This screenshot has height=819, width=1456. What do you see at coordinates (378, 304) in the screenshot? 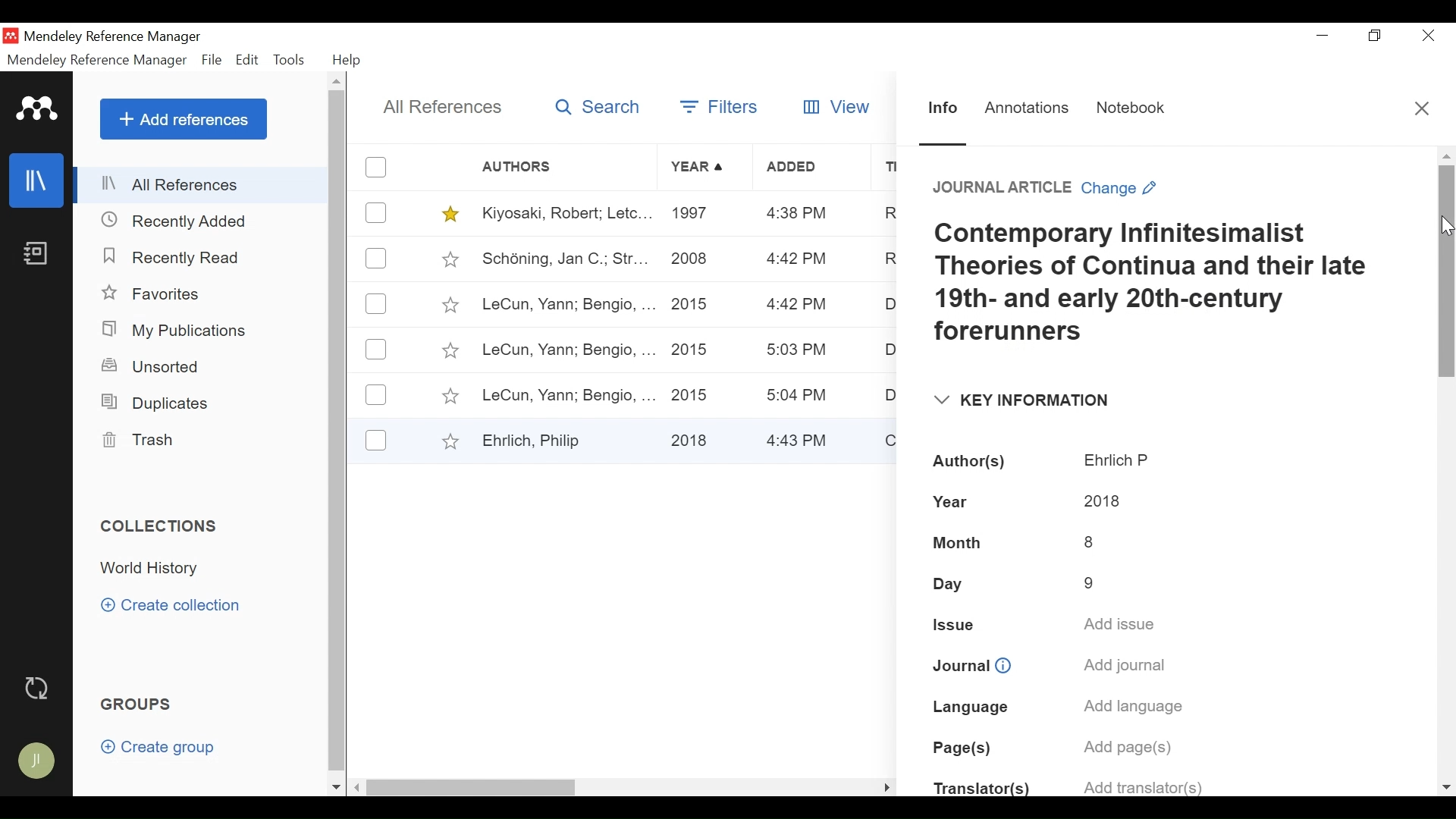
I see `(un)select` at bounding box center [378, 304].